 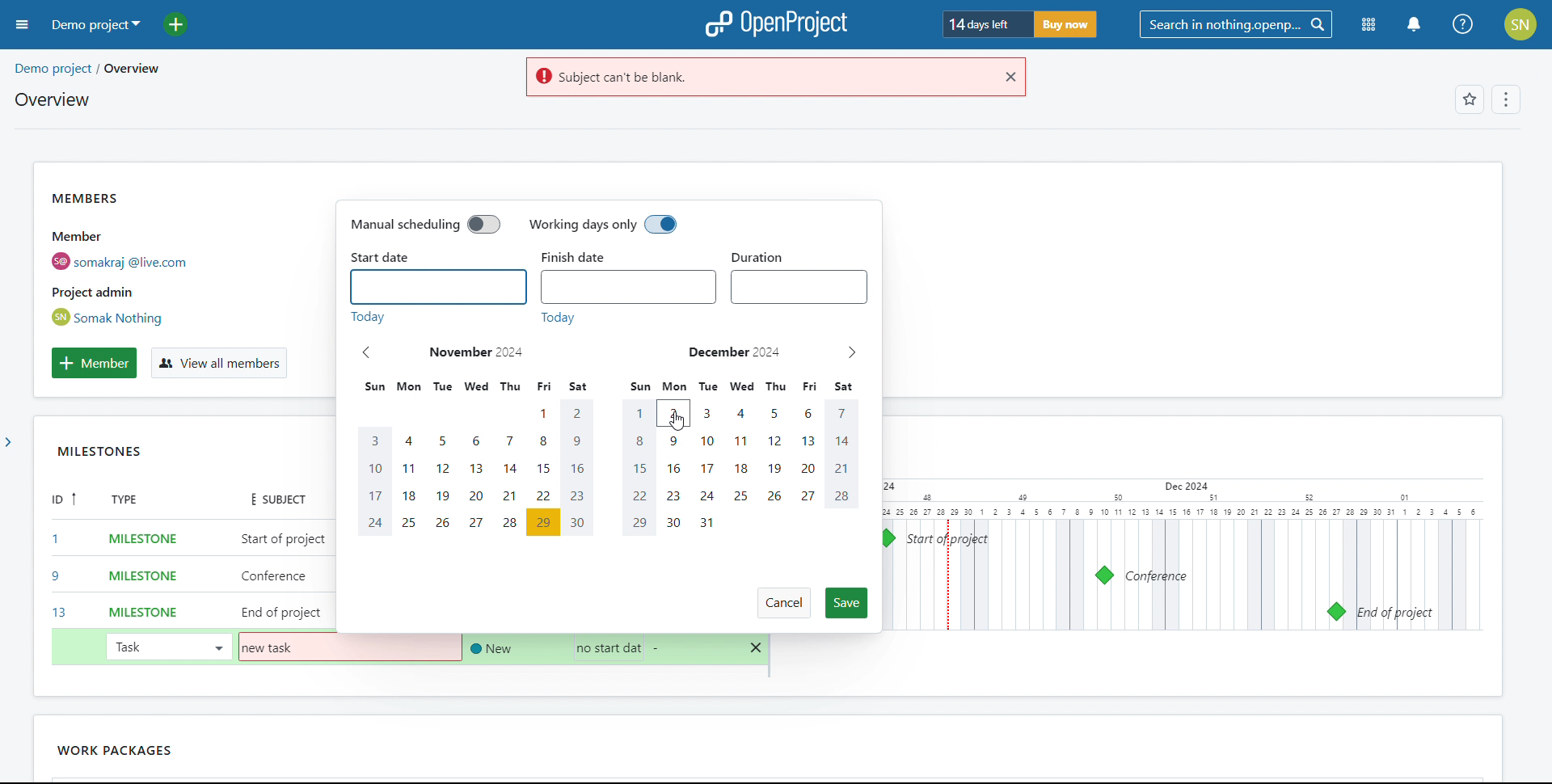 I want to click on open sidebar menu, so click(x=23, y=25).